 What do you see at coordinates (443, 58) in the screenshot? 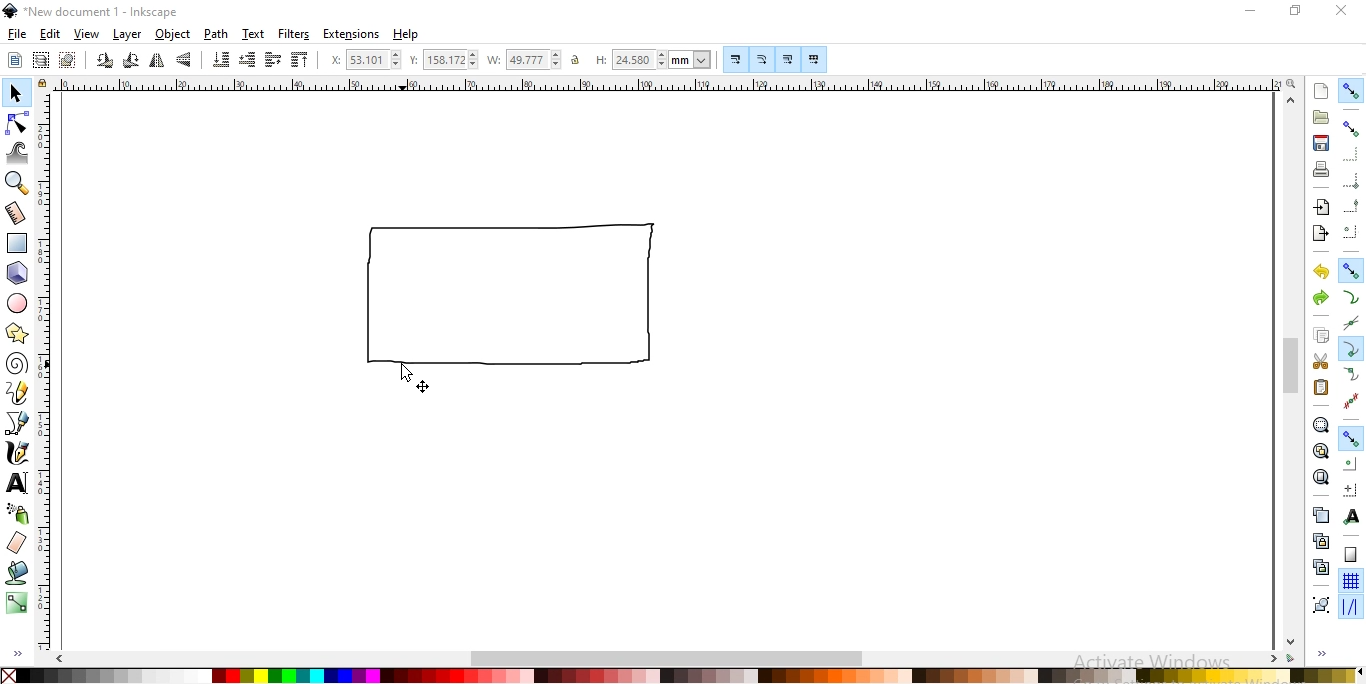
I see `vertical coordinate of selection` at bounding box center [443, 58].